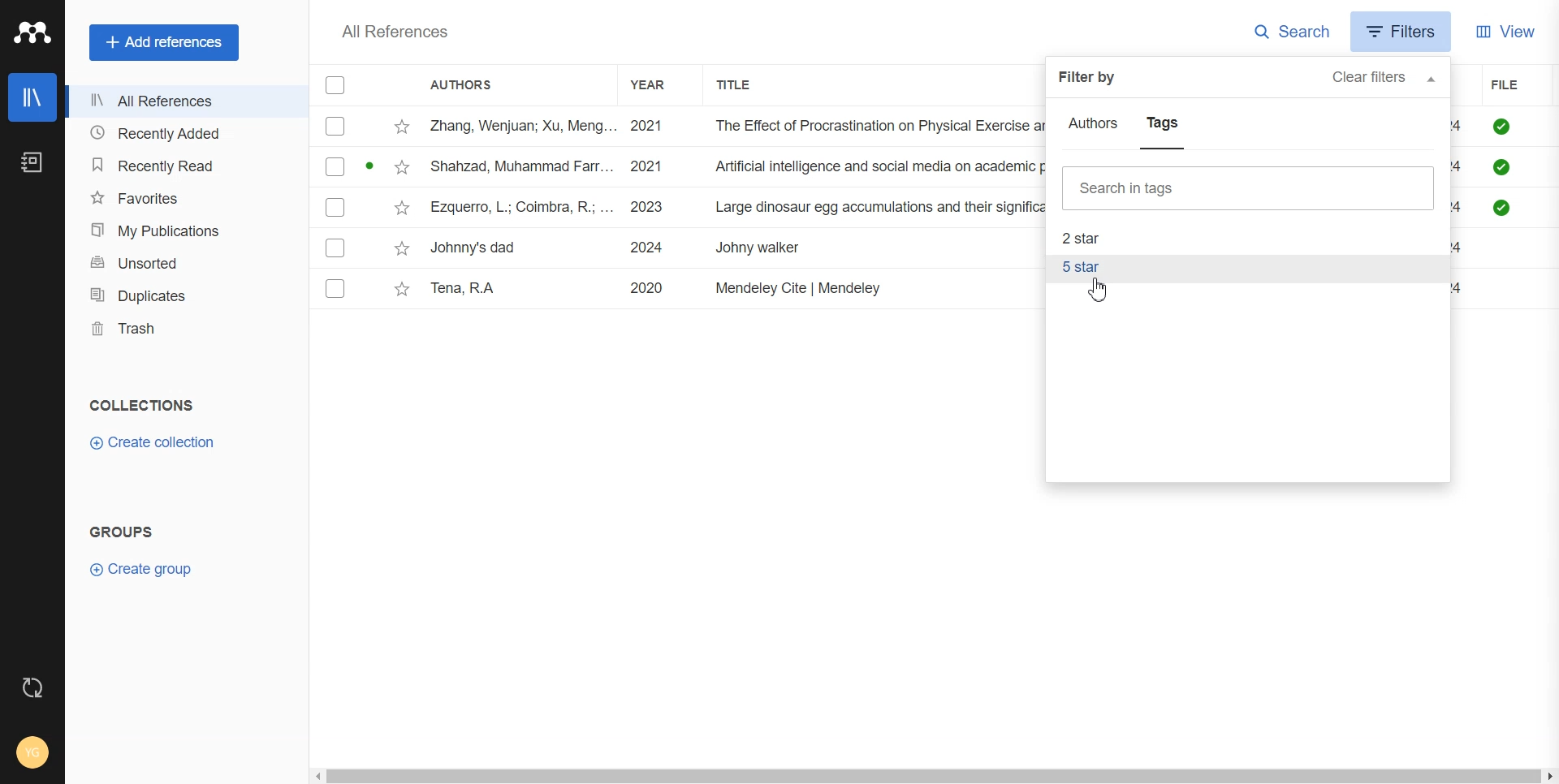 The image size is (1559, 784). What do you see at coordinates (669, 290) in the screenshot?
I see `File` at bounding box center [669, 290].